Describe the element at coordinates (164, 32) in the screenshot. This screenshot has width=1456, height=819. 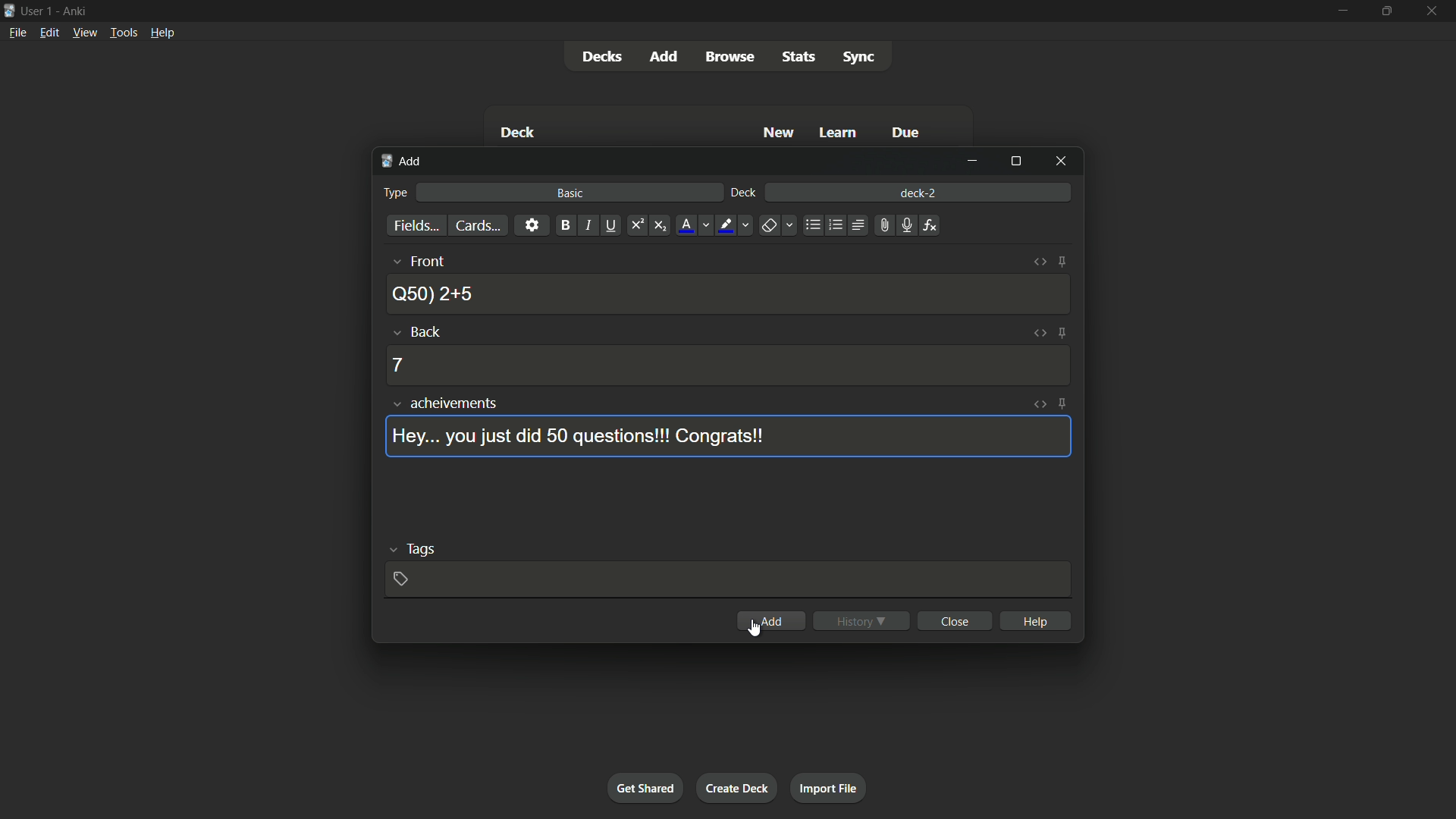
I see `help menu` at that location.